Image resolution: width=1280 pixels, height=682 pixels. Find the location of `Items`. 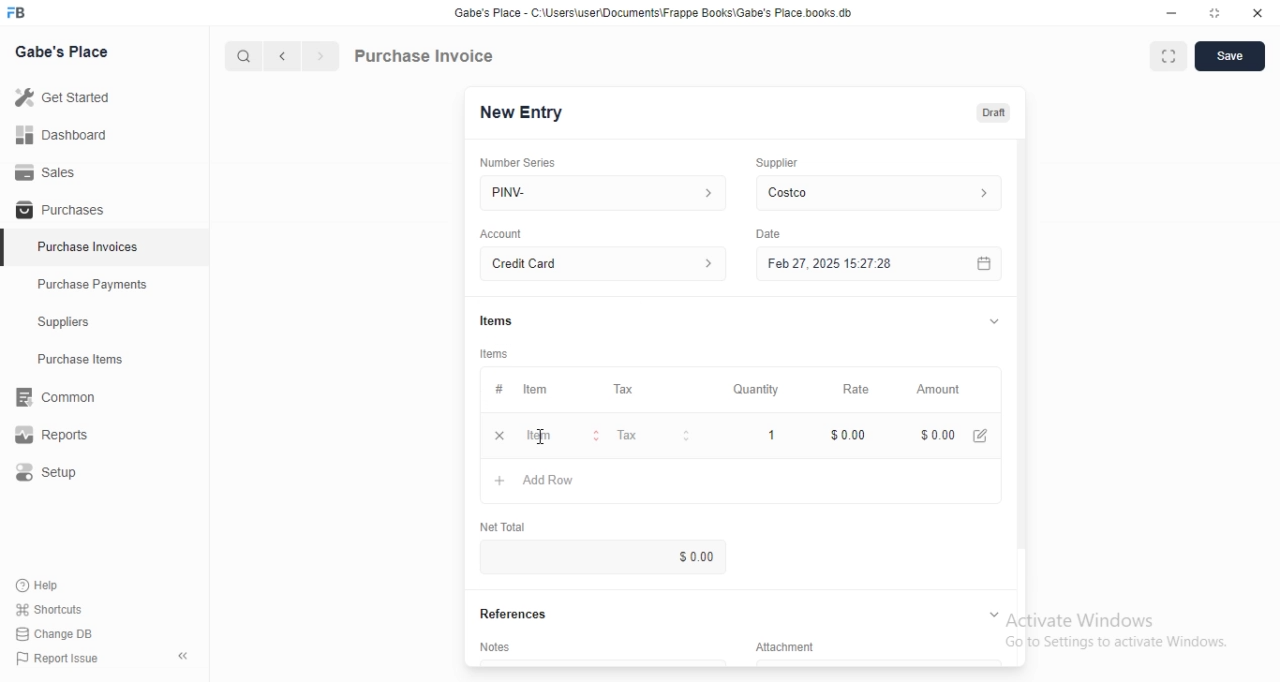

Items is located at coordinates (496, 321).